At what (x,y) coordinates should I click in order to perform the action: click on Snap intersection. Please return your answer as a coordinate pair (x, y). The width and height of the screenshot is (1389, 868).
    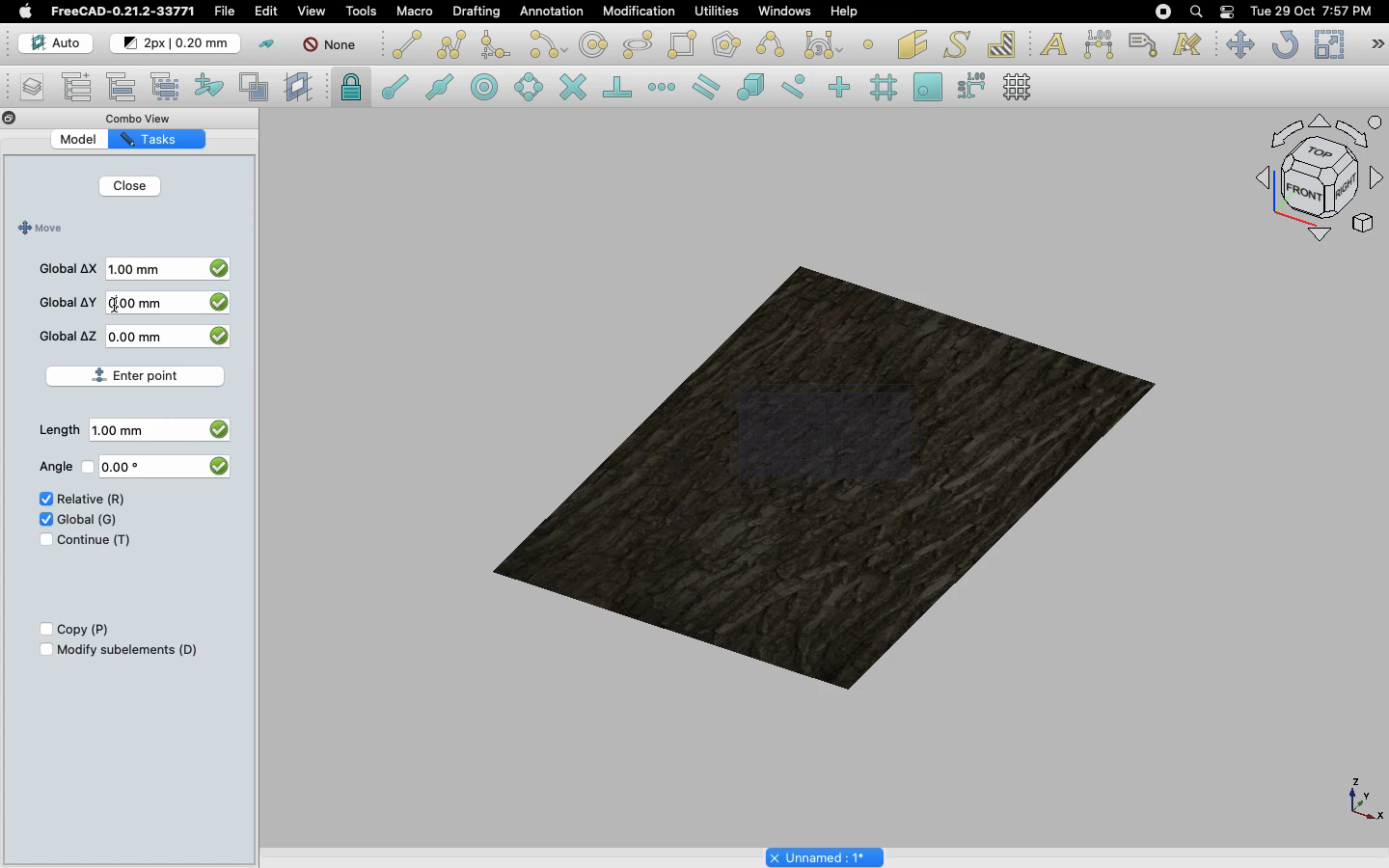
    Looking at the image, I should click on (574, 89).